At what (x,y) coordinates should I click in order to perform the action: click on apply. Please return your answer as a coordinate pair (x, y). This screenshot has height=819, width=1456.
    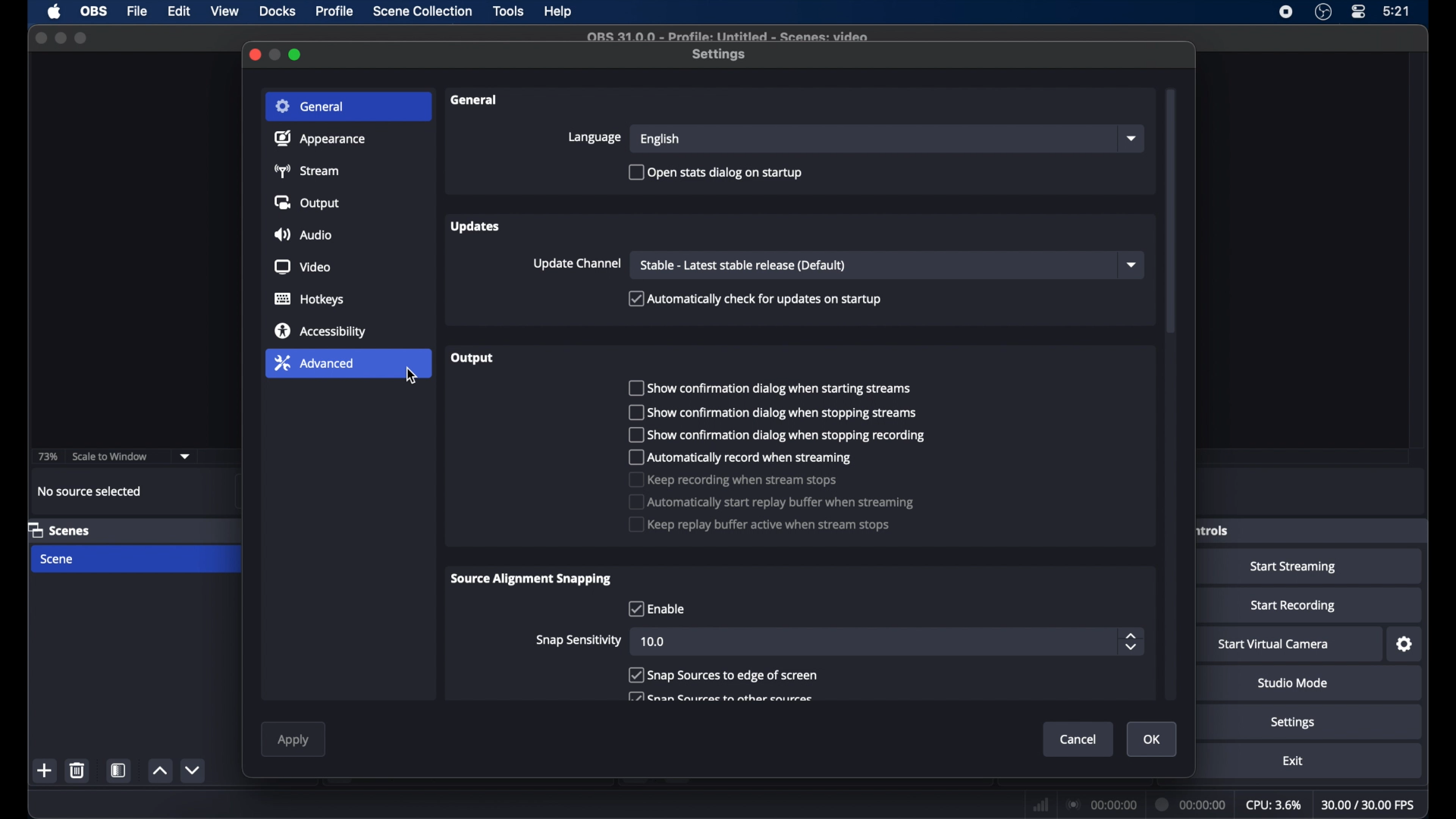
    Looking at the image, I should click on (292, 740).